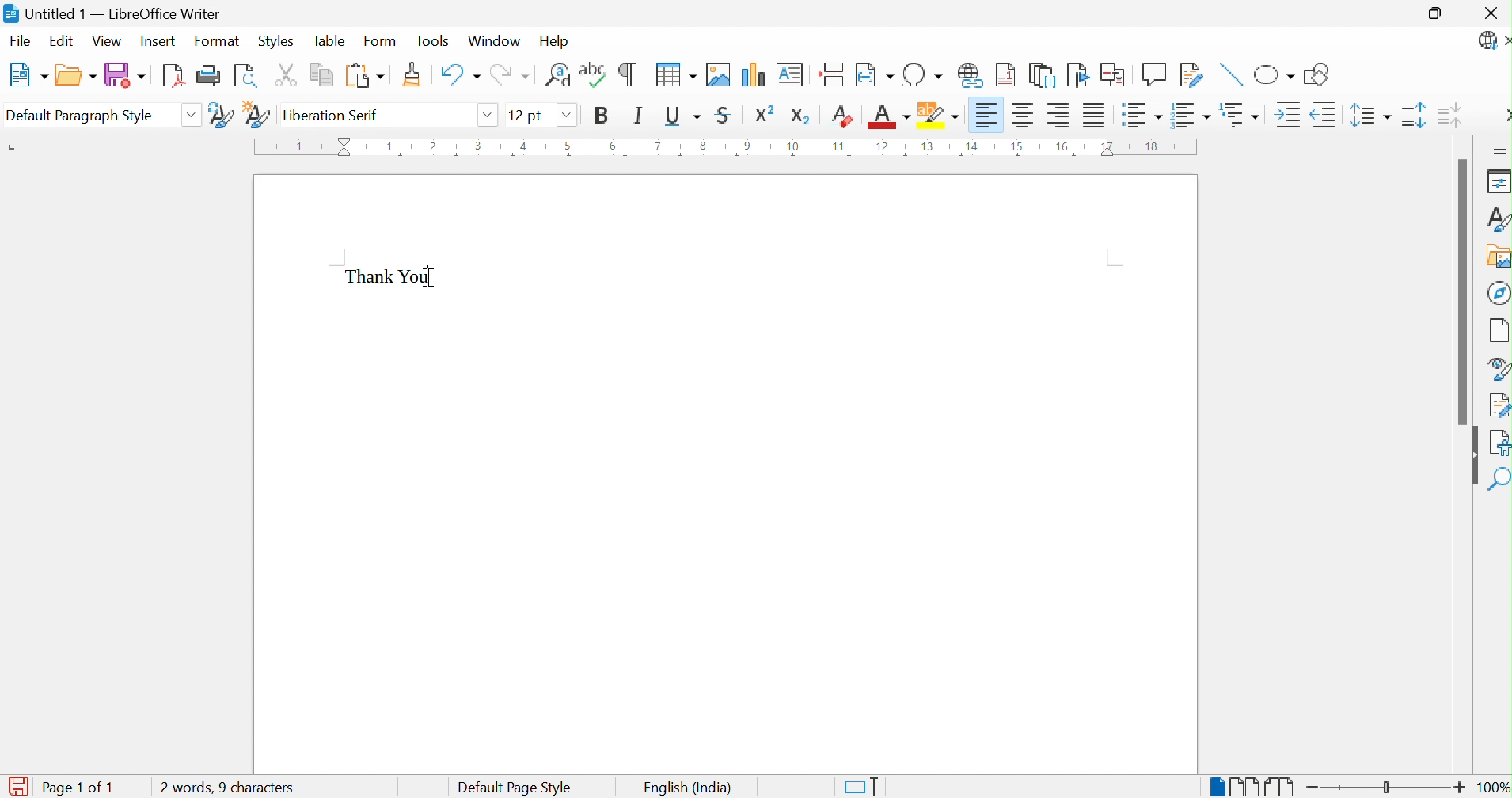 This screenshot has height=798, width=1512. Describe the element at coordinates (873, 74) in the screenshot. I see `Insert Field` at that location.